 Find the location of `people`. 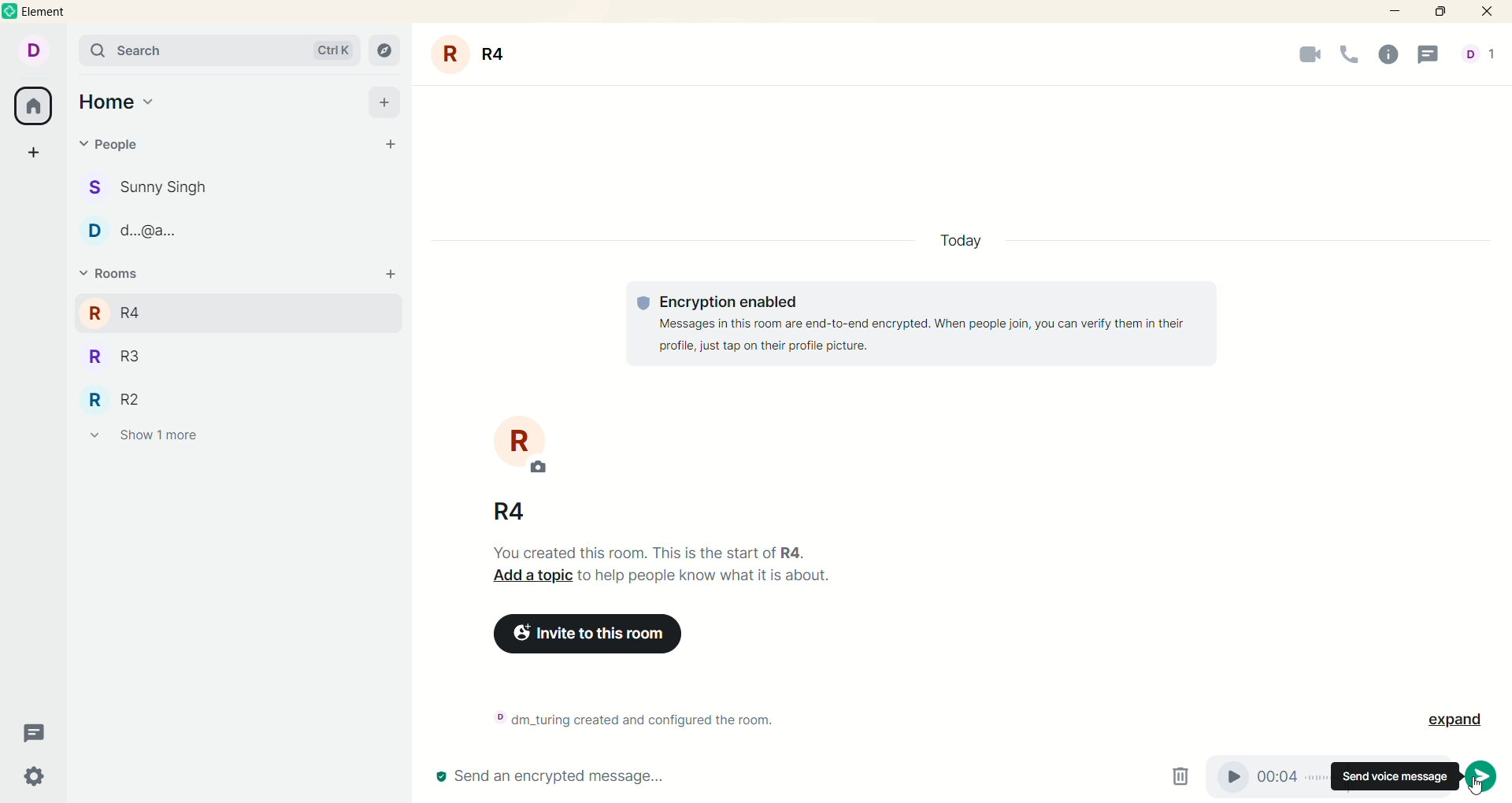

people is located at coordinates (1478, 56).